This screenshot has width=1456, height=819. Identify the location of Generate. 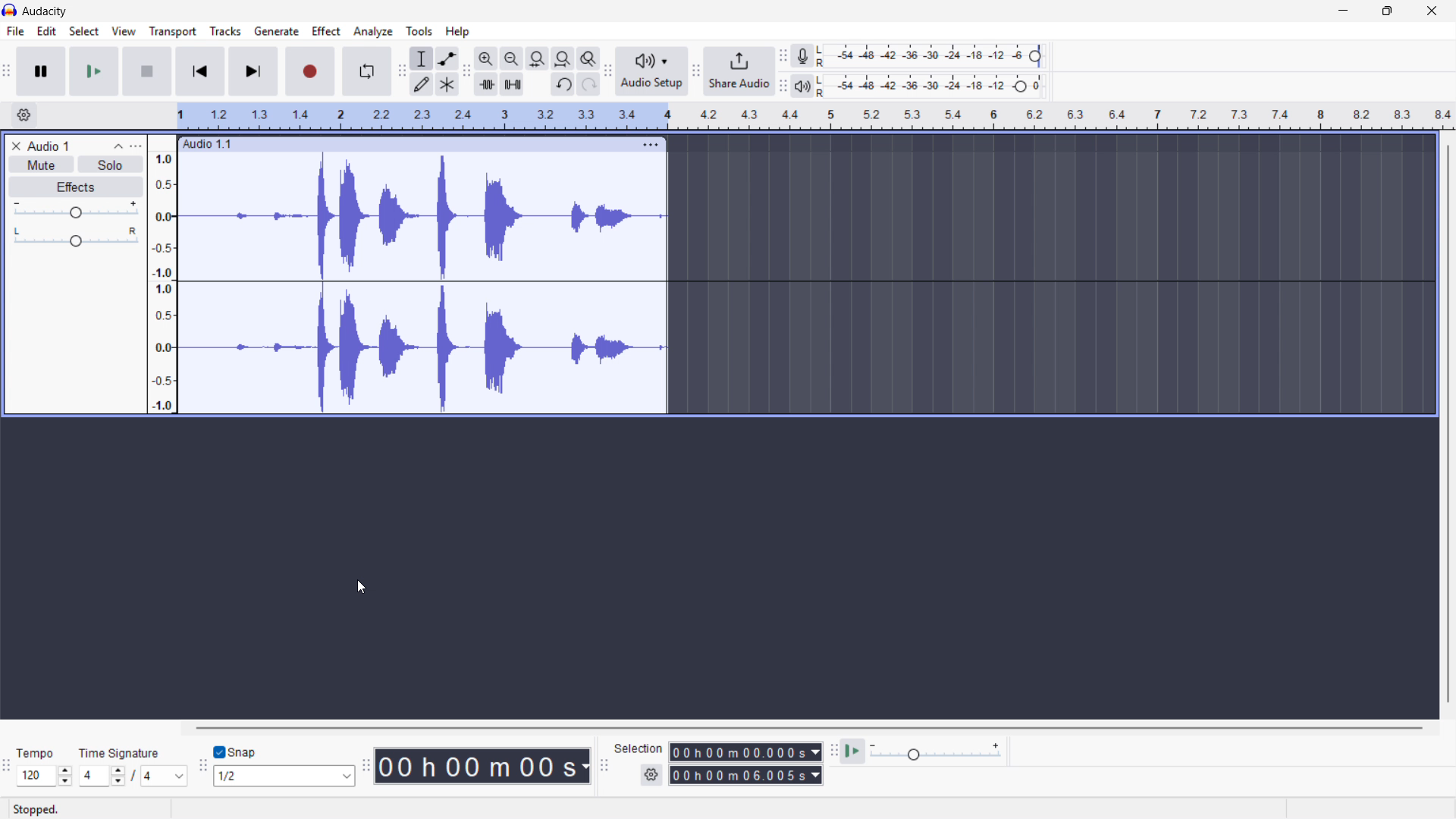
(276, 31).